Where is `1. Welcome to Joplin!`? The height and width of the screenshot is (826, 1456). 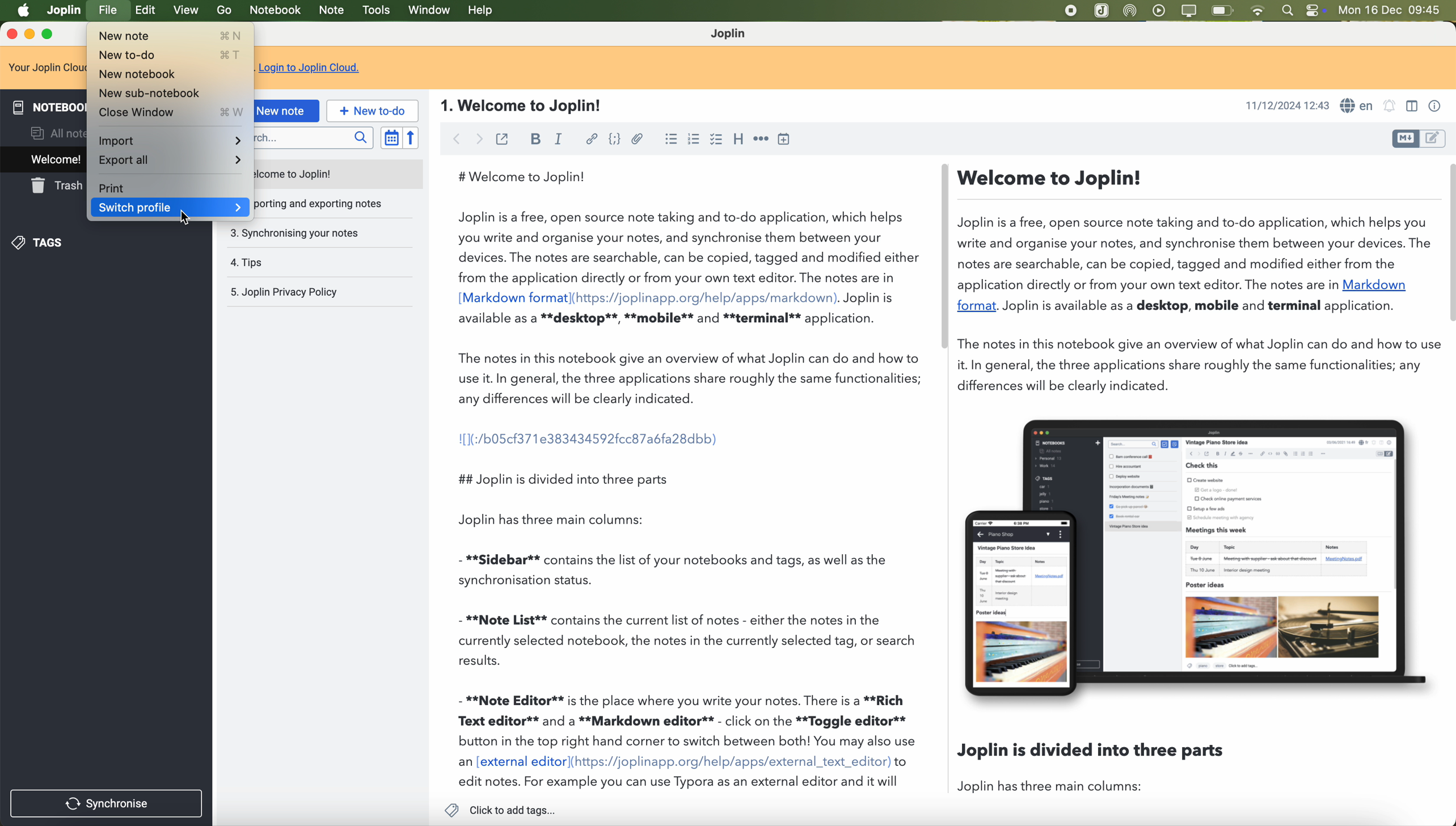 1. Welcome to Joplin! is located at coordinates (528, 106).